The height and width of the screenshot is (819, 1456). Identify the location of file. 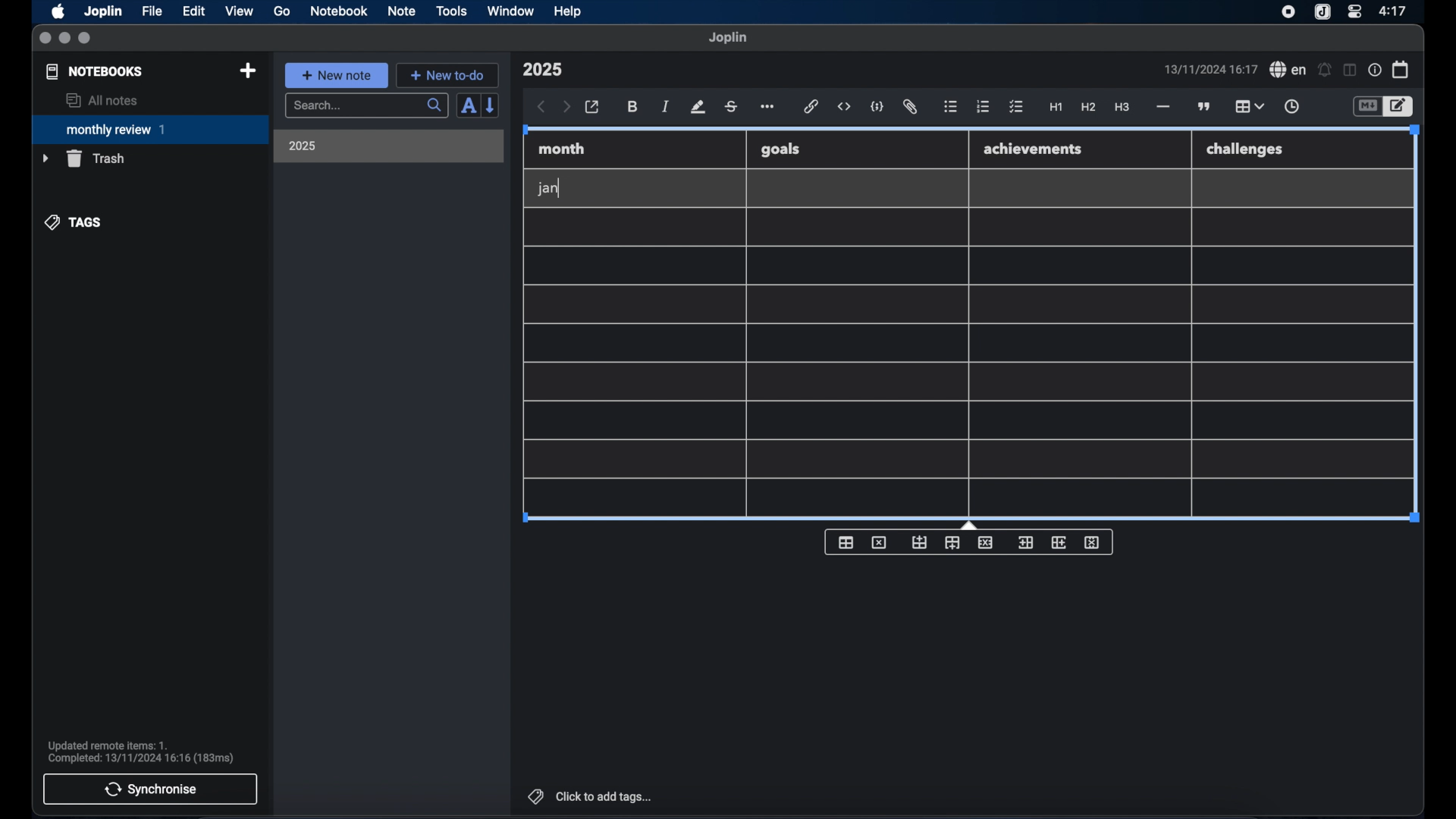
(152, 11).